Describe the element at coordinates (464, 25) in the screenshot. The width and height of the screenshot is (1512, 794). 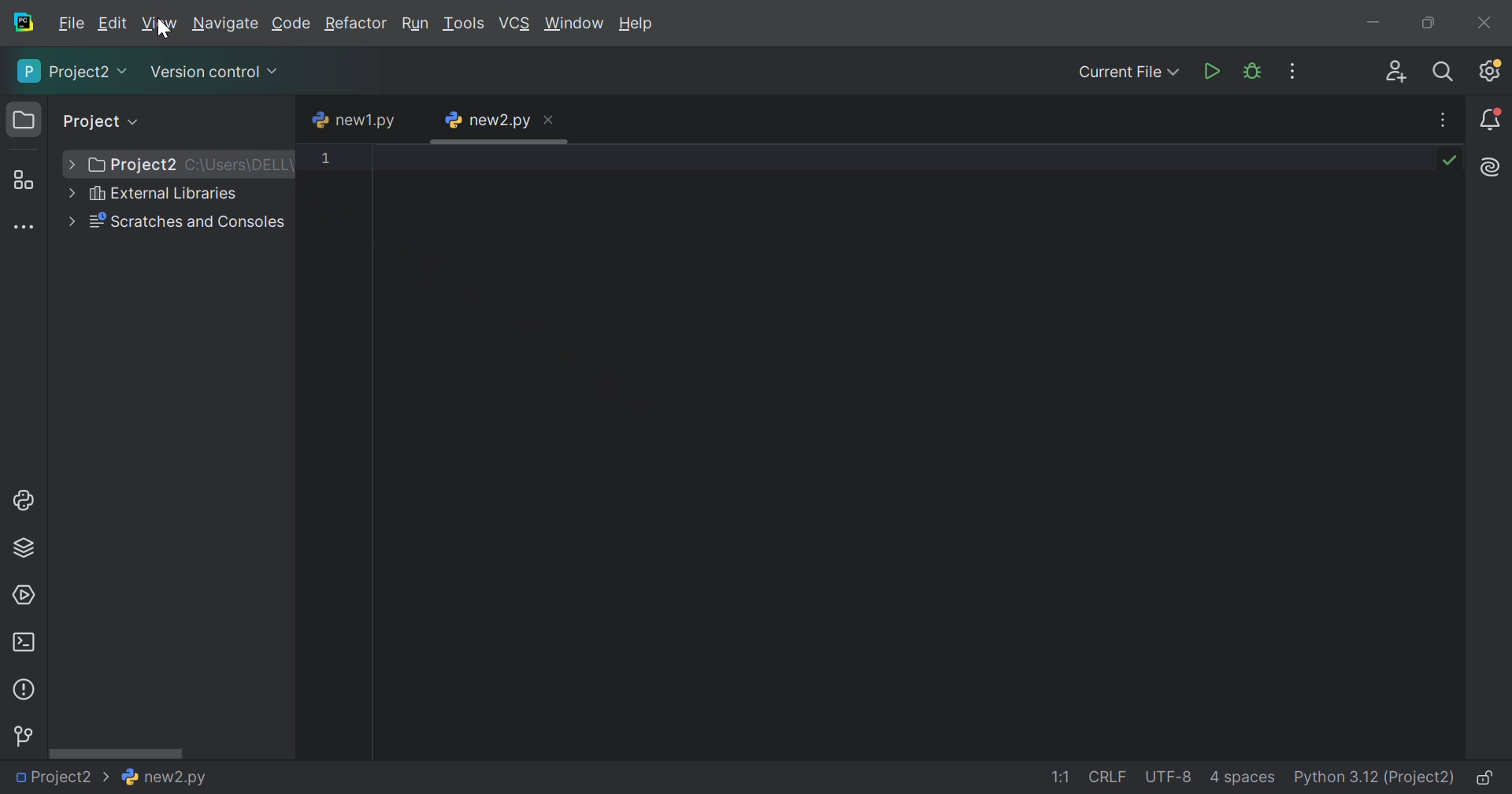
I see `Tools` at that location.